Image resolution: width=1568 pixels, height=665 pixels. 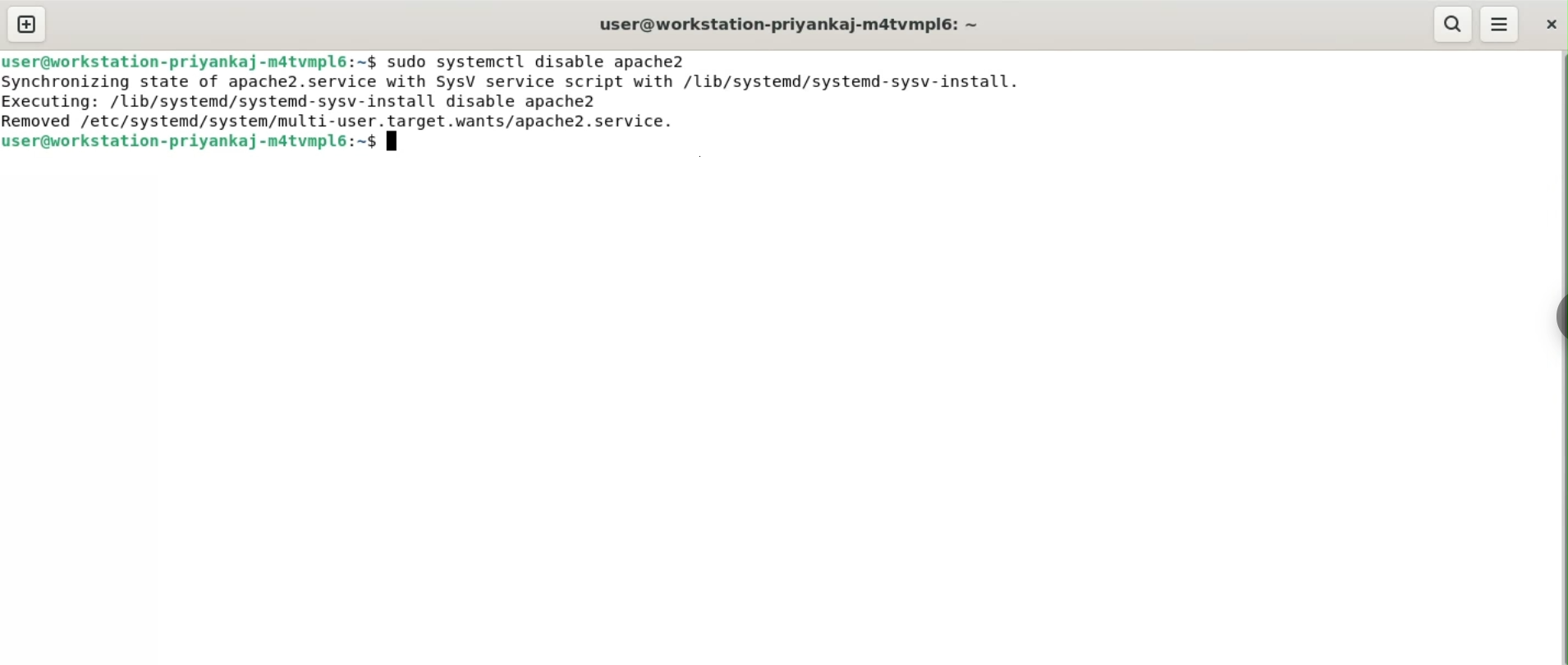 What do you see at coordinates (1499, 25) in the screenshot?
I see `more options` at bounding box center [1499, 25].